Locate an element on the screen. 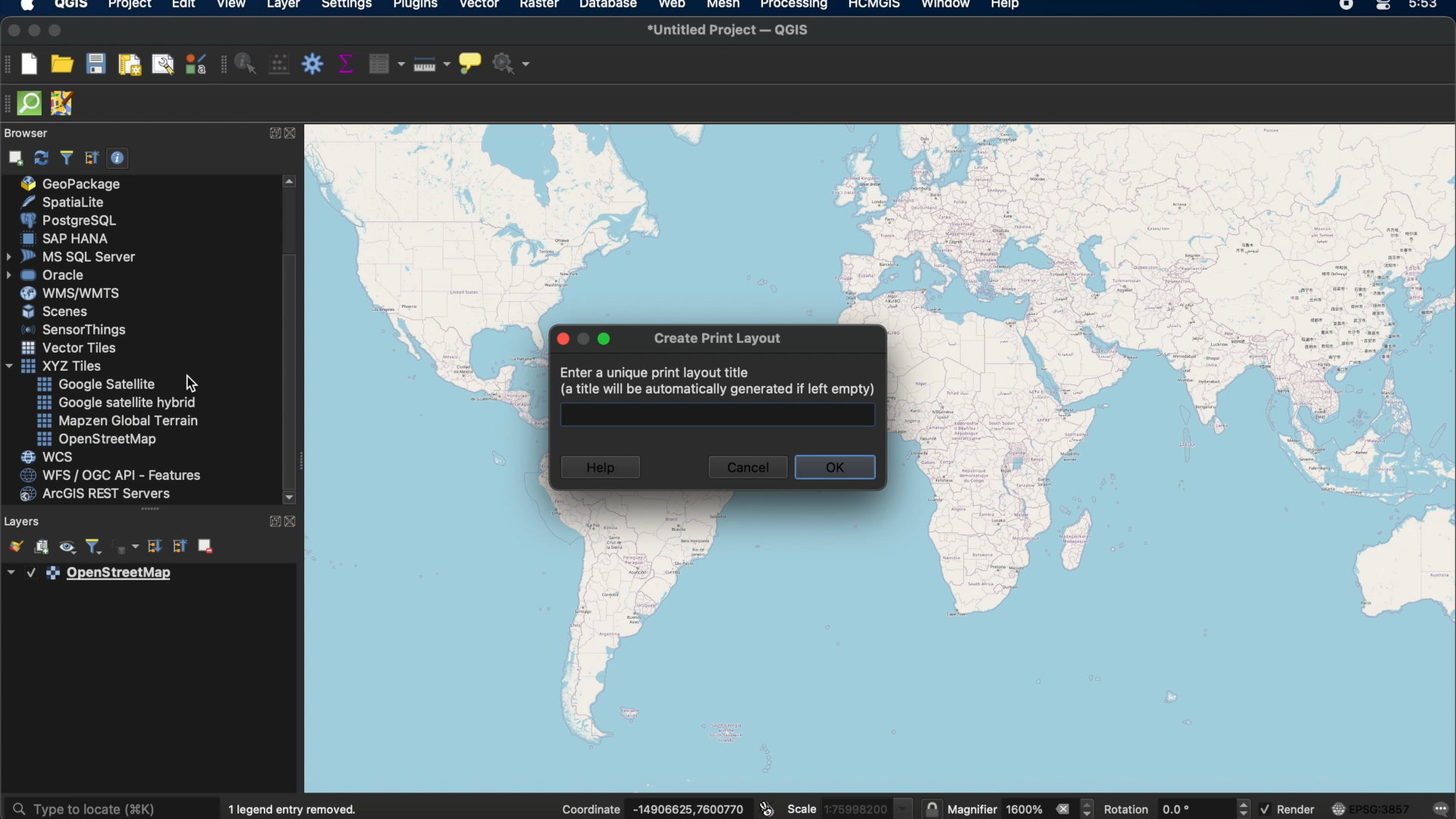 The width and height of the screenshot is (1456, 819). enable/disable properties widget is located at coordinates (119, 157).